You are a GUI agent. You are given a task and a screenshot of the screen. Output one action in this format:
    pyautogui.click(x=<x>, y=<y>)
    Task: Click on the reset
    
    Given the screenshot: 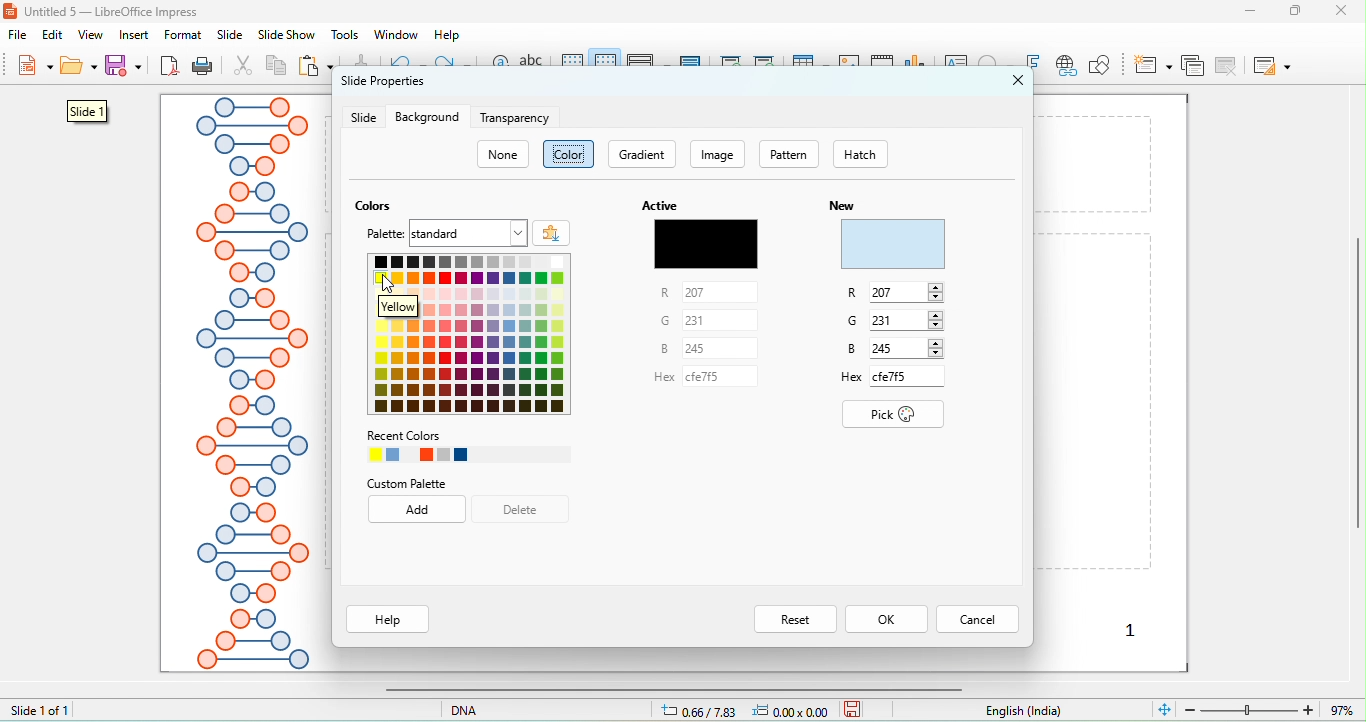 What is the action you would take?
    pyautogui.click(x=793, y=617)
    